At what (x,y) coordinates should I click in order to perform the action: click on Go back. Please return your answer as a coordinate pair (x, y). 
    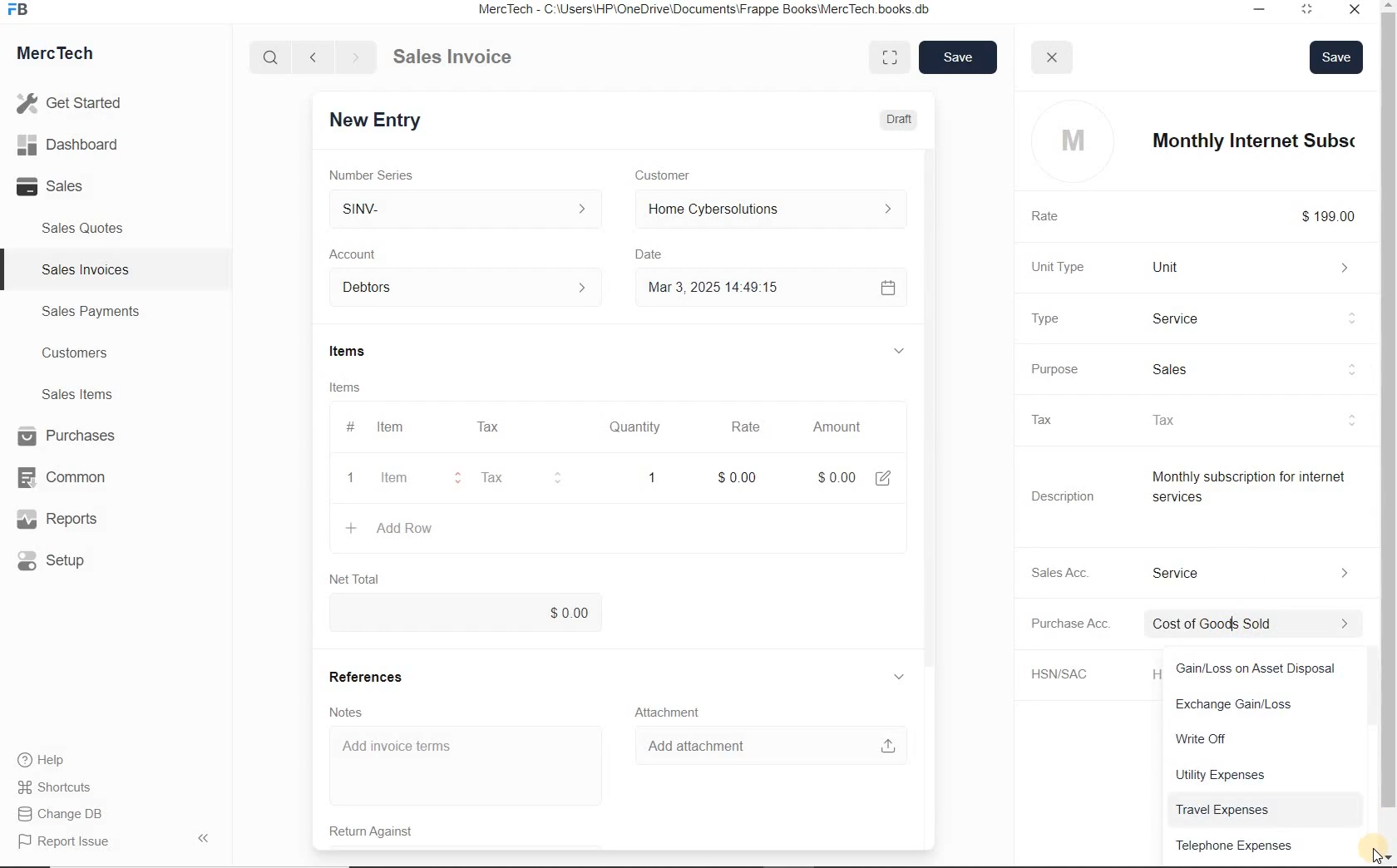
    Looking at the image, I should click on (315, 57).